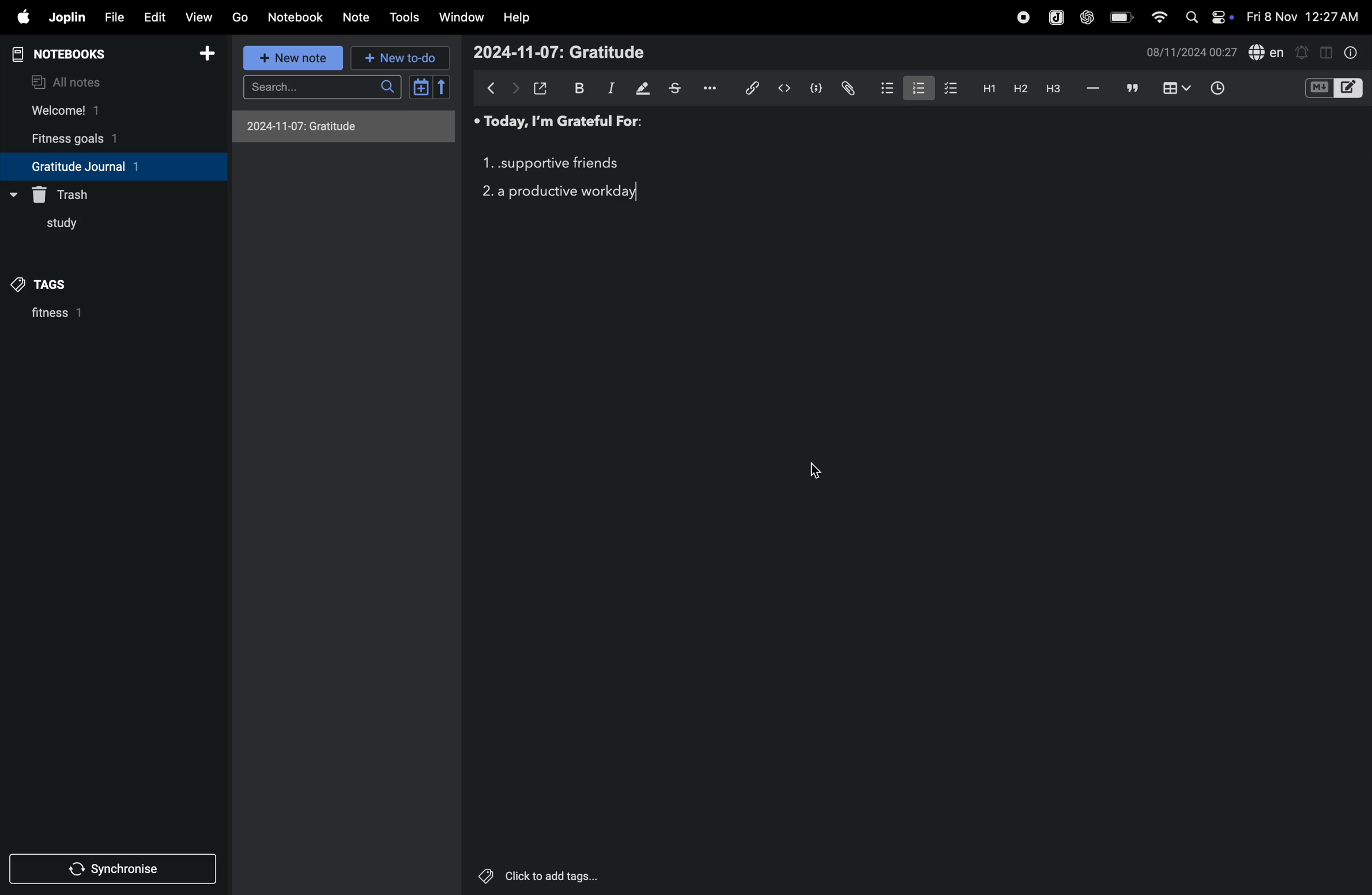 This screenshot has height=895, width=1372. What do you see at coordinates (1334, 90) in the screenshot?
I see `toogle editor` at bounding box center [1334, 90].